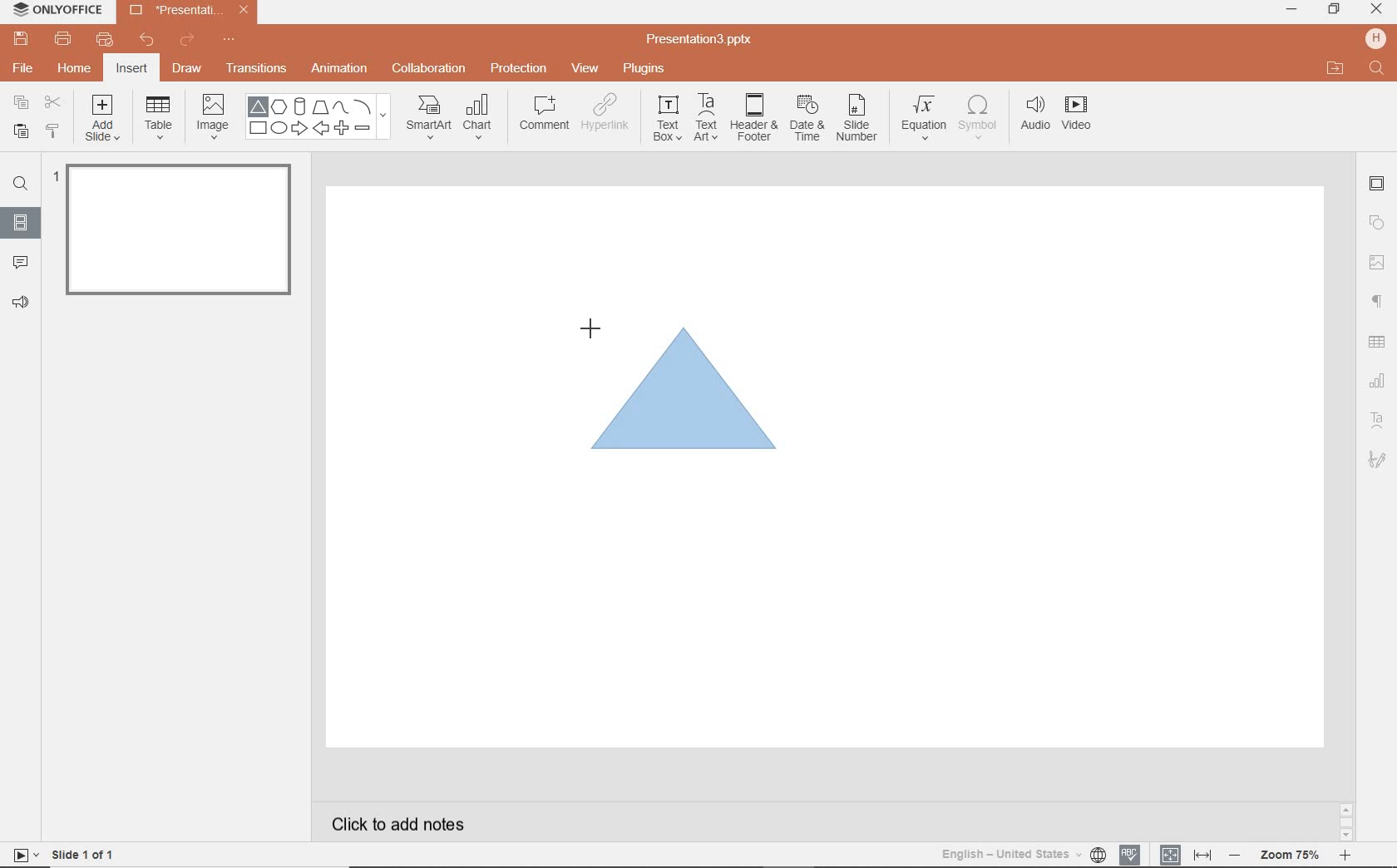 Image resolution: width=1397 pixels, height=868 pixels. Describe the element at coordinates (858, 121) in the screenshot. I see `SLIDE NUMBER` at that location.